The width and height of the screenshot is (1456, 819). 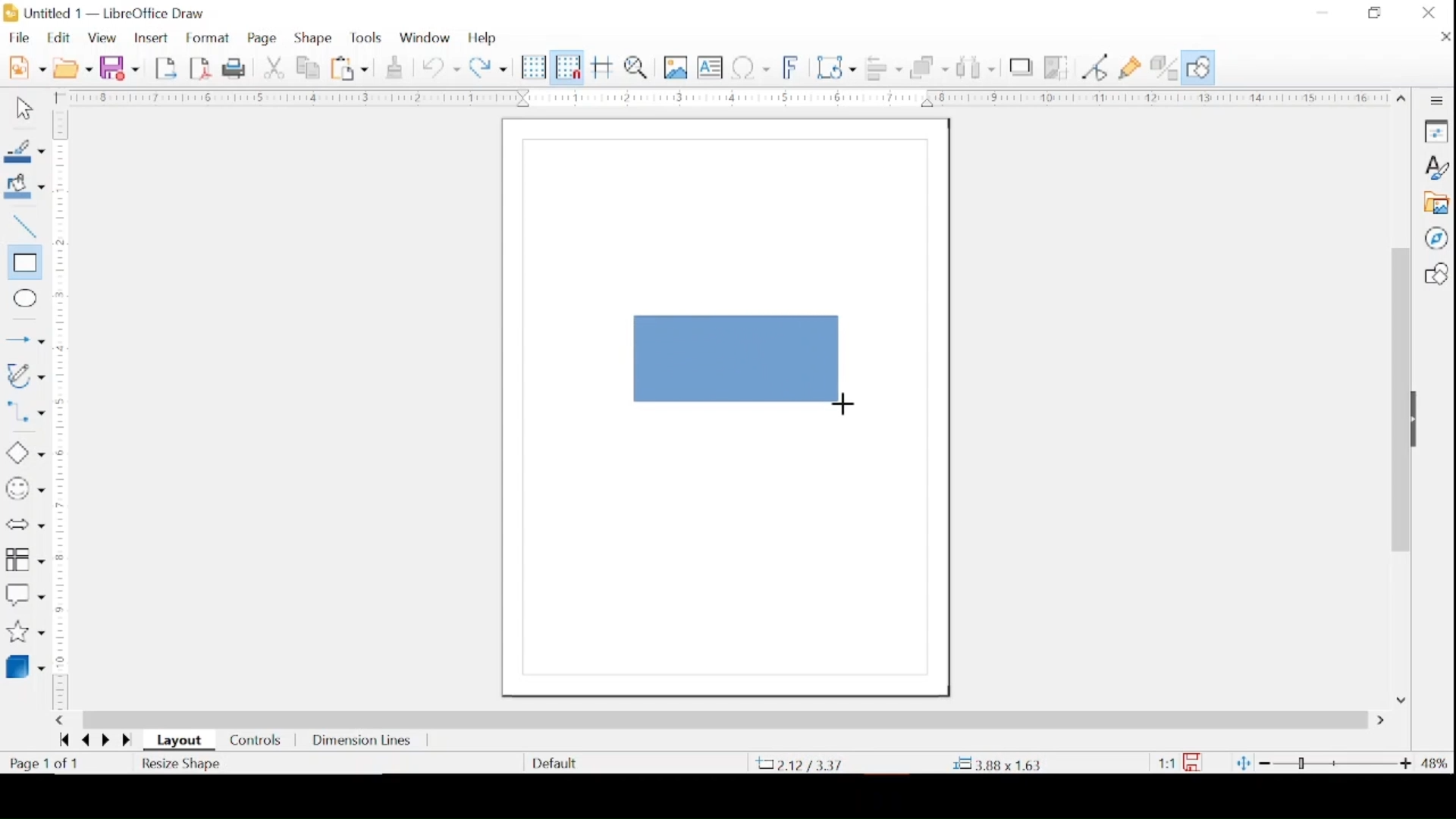 What do you see at coordinates (25, 415) in the screenshot?
I see `connectors` at bounding box center [25, 415].